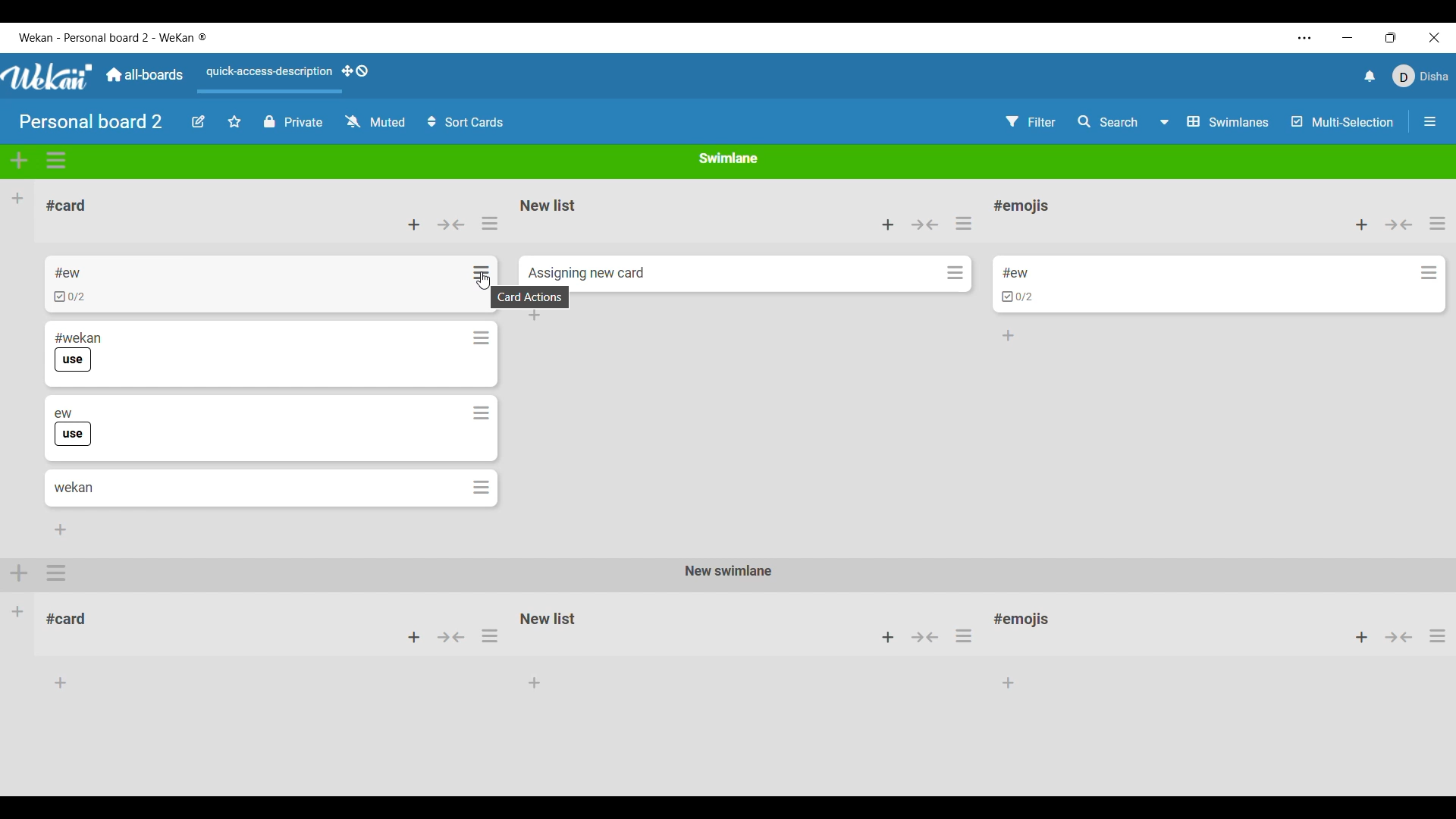  What do you see at coordinates (78, 352) in the screenshot?
I see `Card title and label` at bounding box center [78, 352].